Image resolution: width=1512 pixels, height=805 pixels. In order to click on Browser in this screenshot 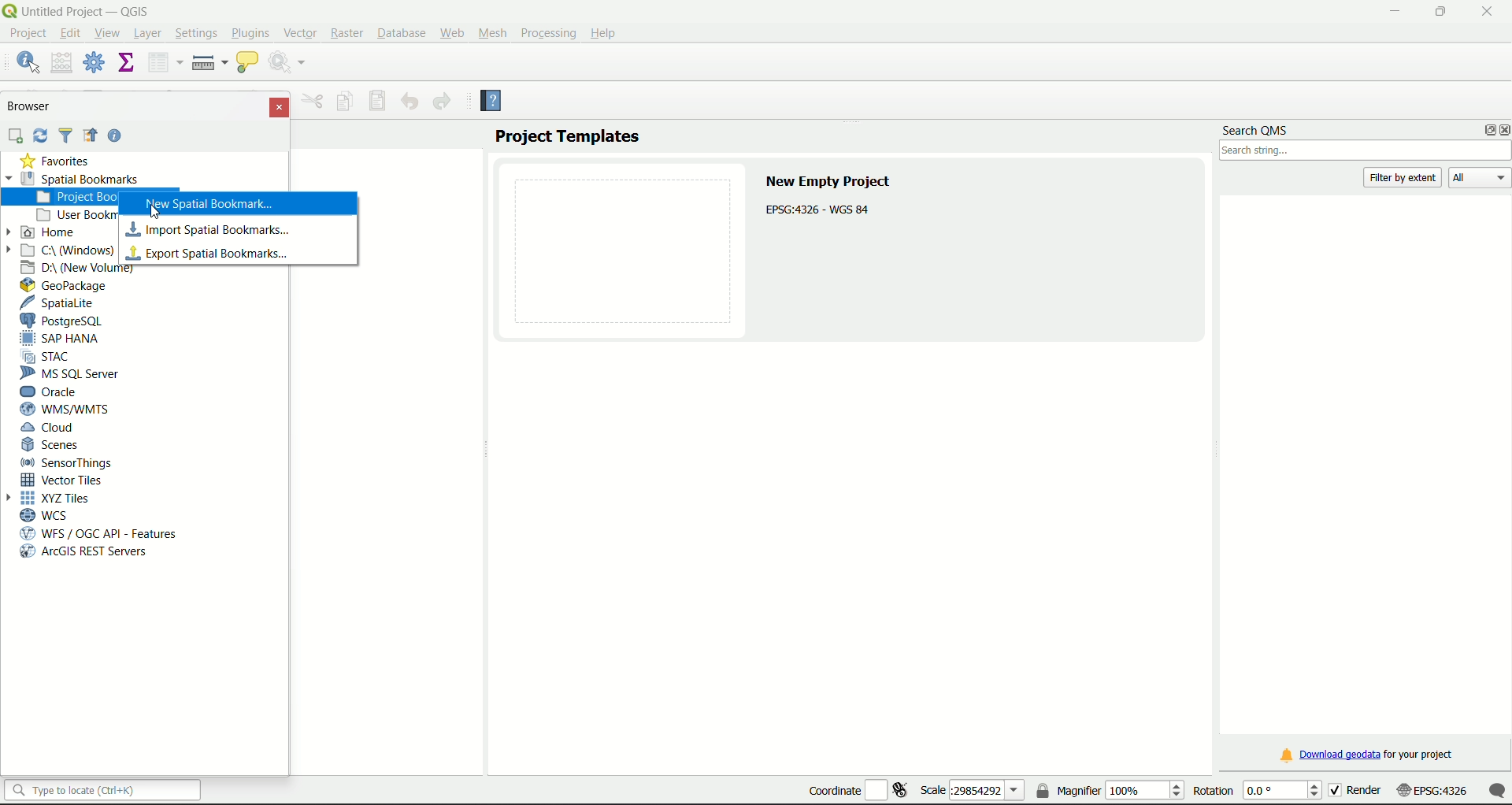, I will do `click(31, 106)`.